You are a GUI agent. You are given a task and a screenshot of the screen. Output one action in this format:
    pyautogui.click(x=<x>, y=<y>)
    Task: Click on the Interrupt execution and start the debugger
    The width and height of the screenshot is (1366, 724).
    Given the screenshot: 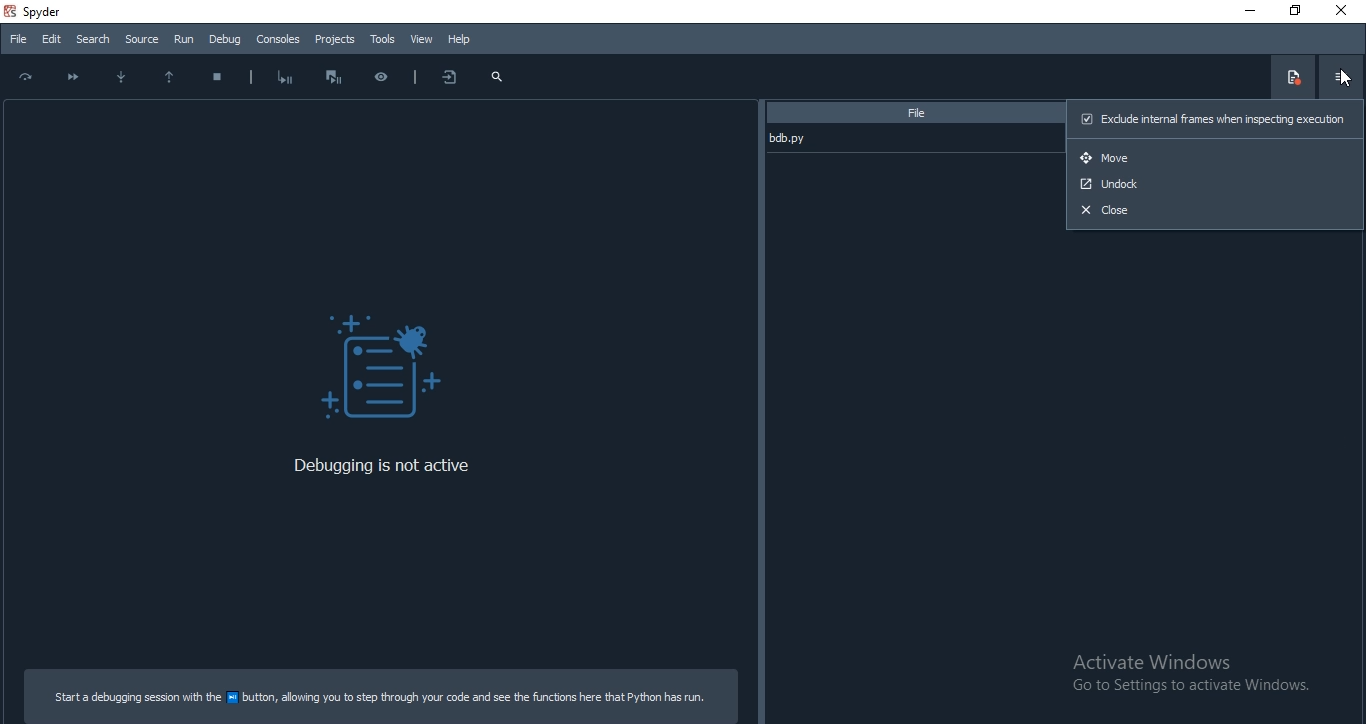 What is the action you would take?
    pyautogui.click(x=333, y=78)
    